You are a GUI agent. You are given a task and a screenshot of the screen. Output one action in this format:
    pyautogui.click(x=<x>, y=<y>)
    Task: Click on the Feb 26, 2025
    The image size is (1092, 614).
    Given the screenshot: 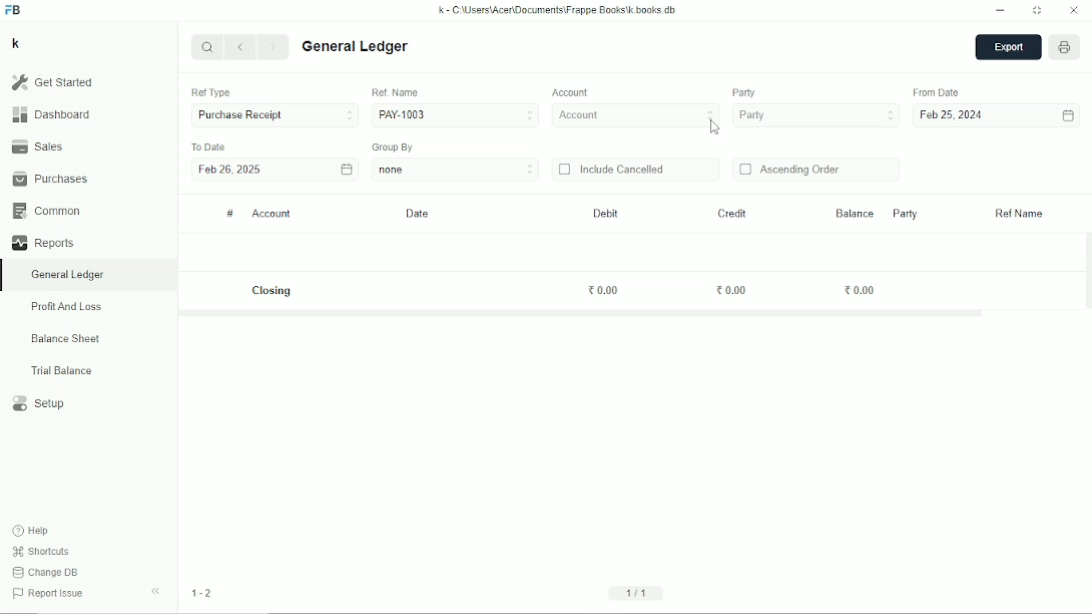 What is the action you would take?
    pyautogui.click(x=230, y=171)
    